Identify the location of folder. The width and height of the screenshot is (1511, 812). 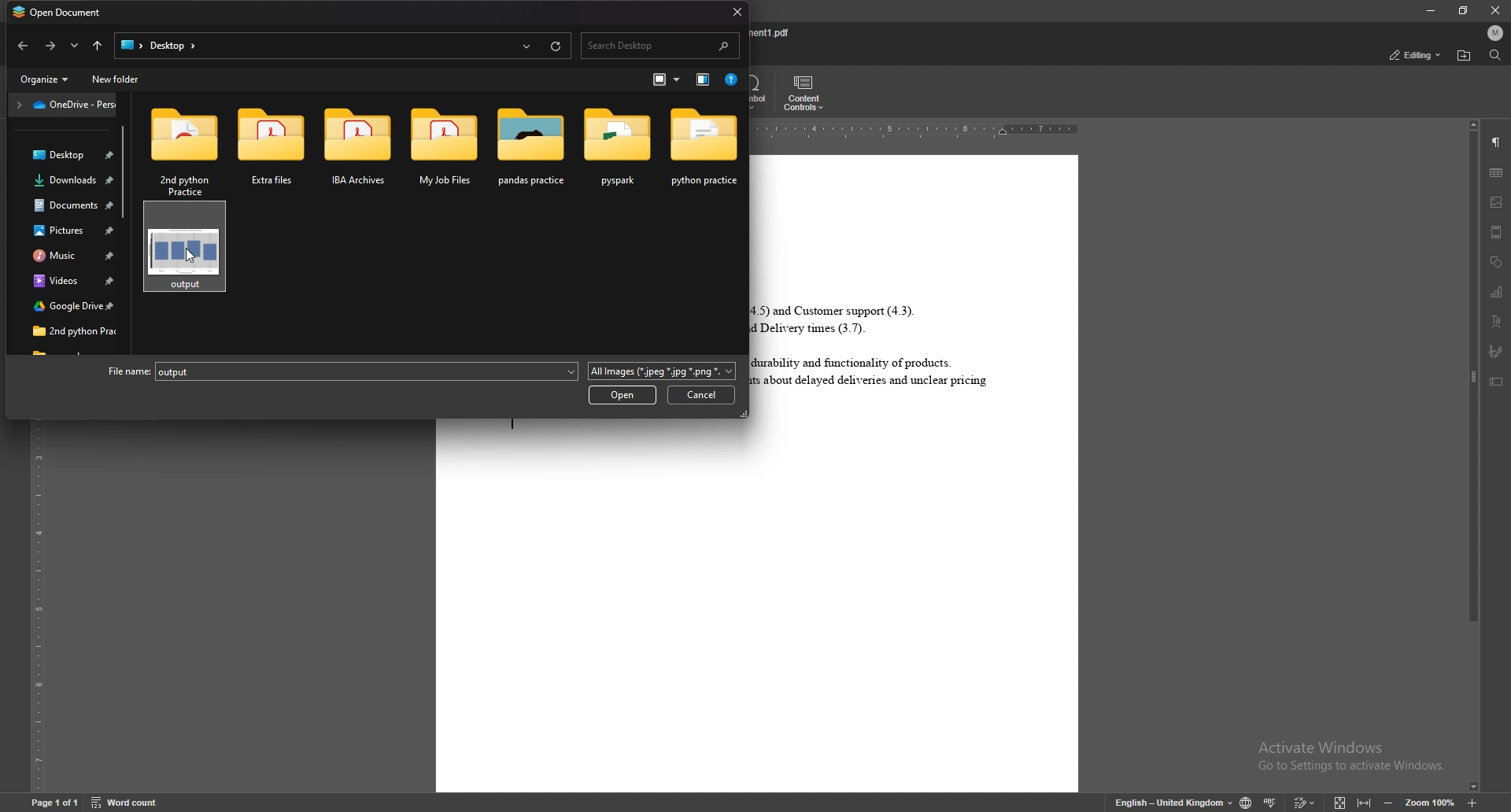
(61, 329).